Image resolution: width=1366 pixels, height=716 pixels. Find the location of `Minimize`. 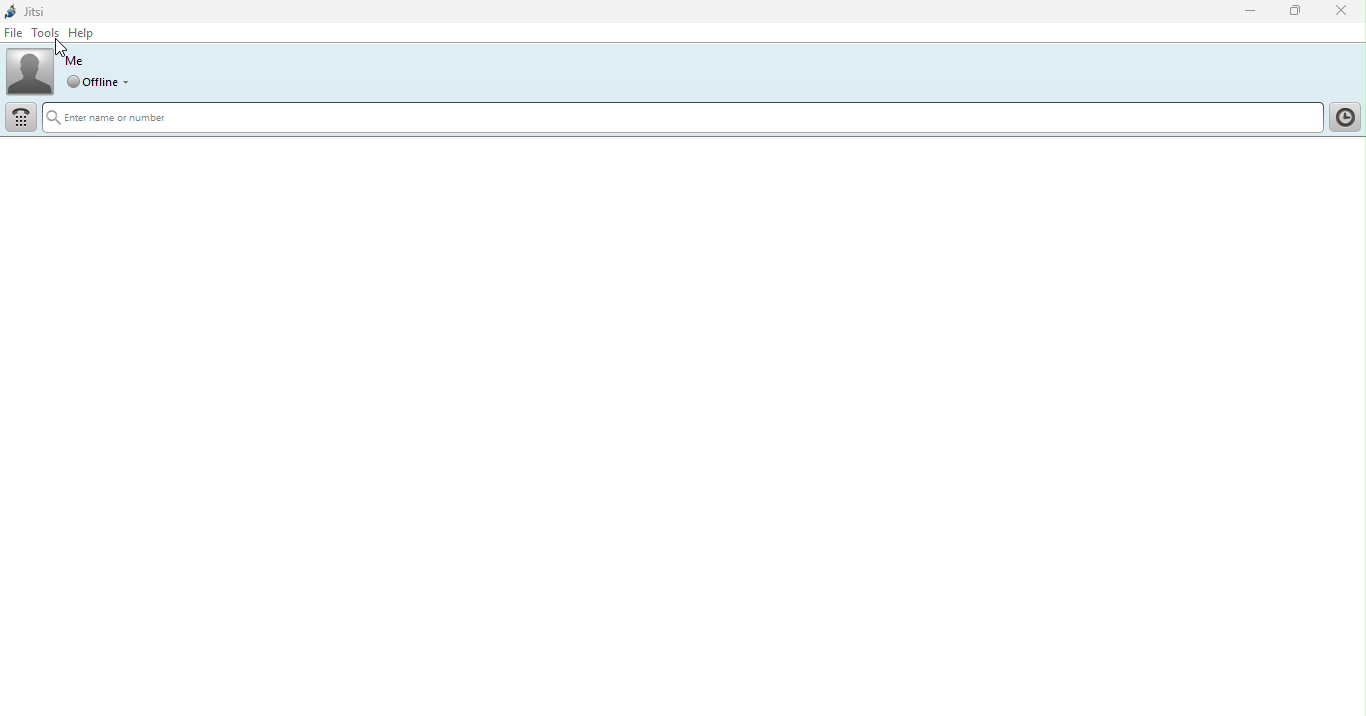

Minimize is located at coordinates (1244, 10).